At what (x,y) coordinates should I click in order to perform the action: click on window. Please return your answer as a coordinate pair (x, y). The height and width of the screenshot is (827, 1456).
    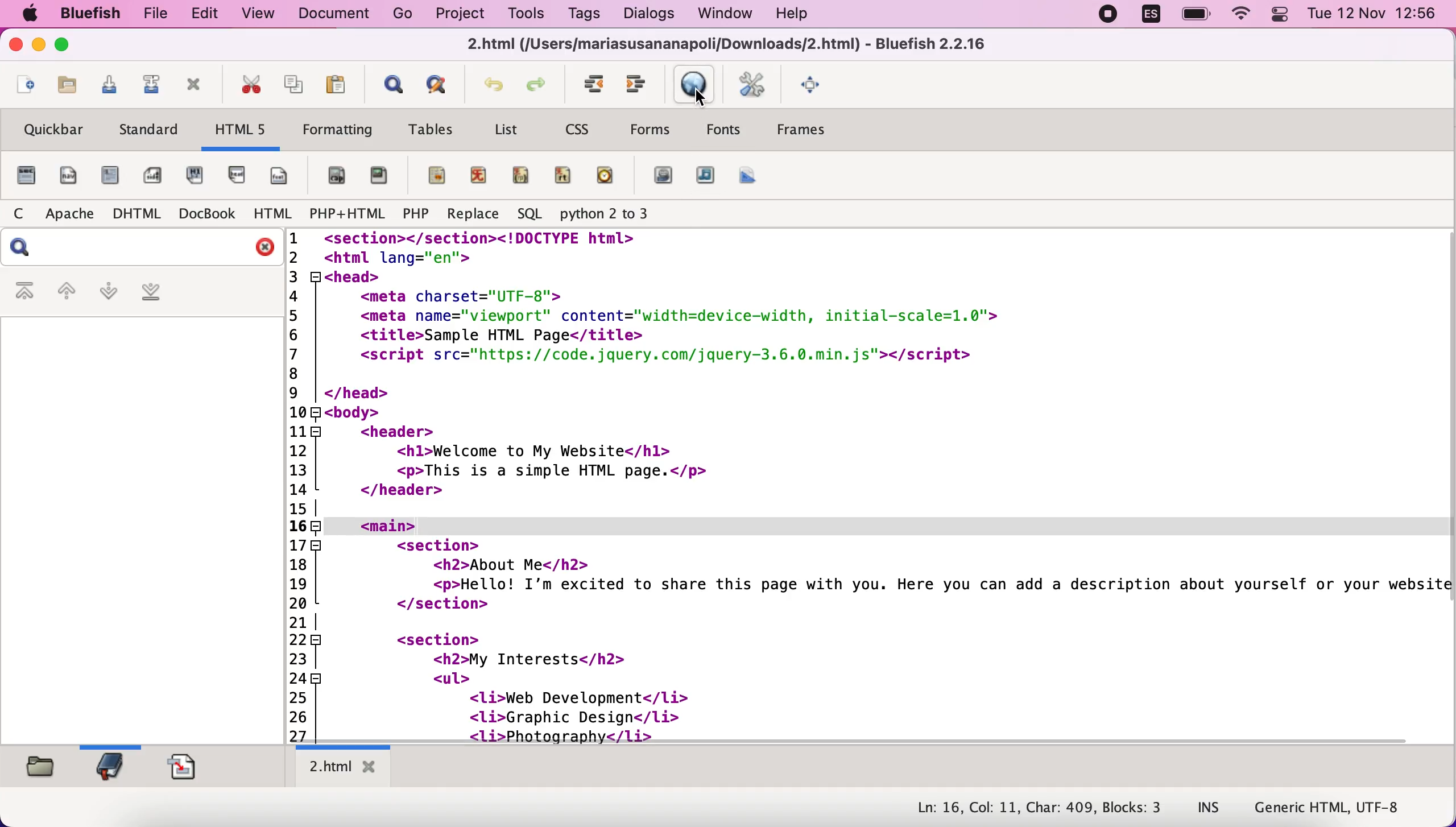
    Looking at the image, I should click on (727, 16).